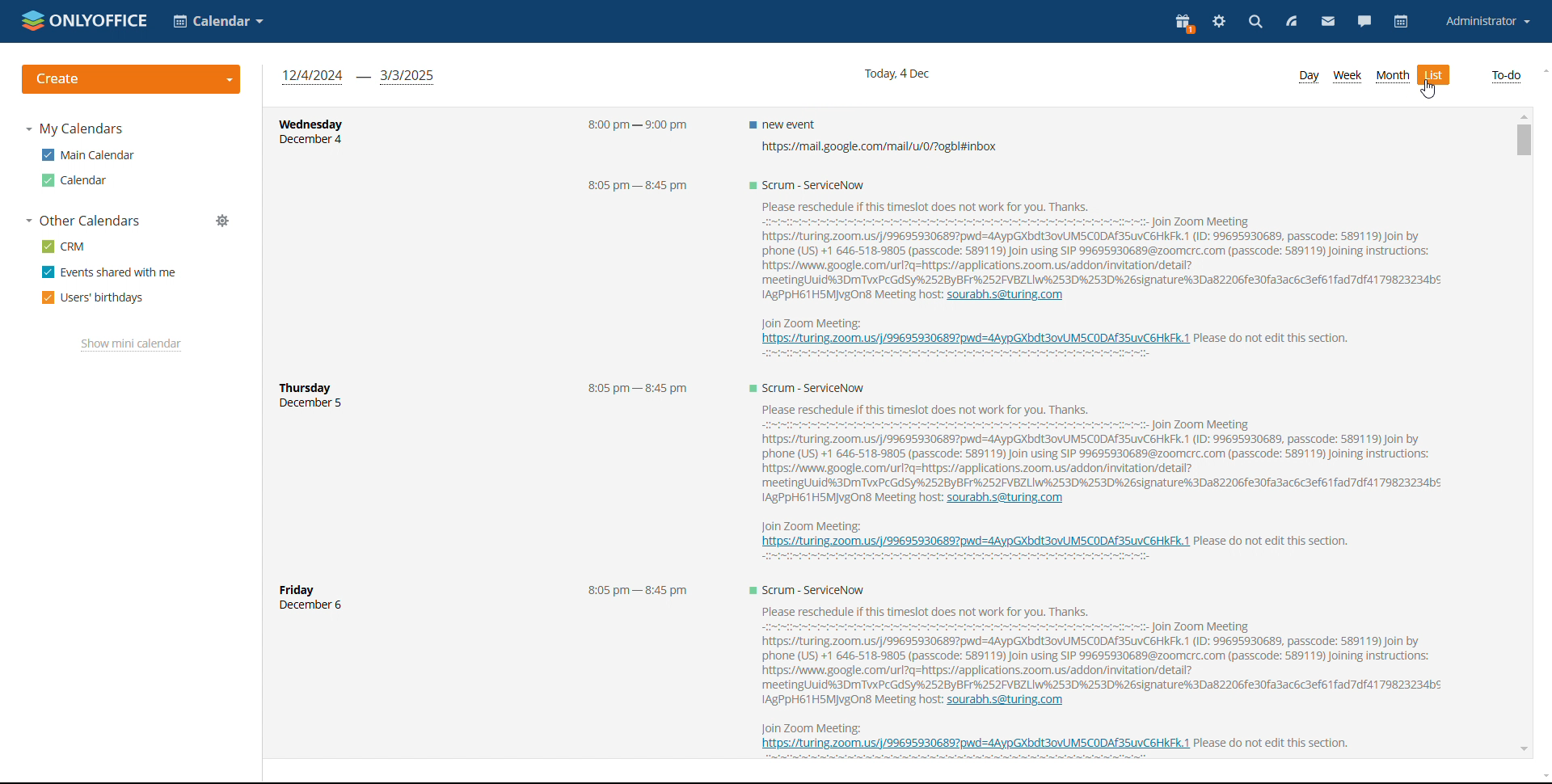 The image size is (1552, 784). I want to click on k.1 Please do not edit this section., so click(1272, 741).